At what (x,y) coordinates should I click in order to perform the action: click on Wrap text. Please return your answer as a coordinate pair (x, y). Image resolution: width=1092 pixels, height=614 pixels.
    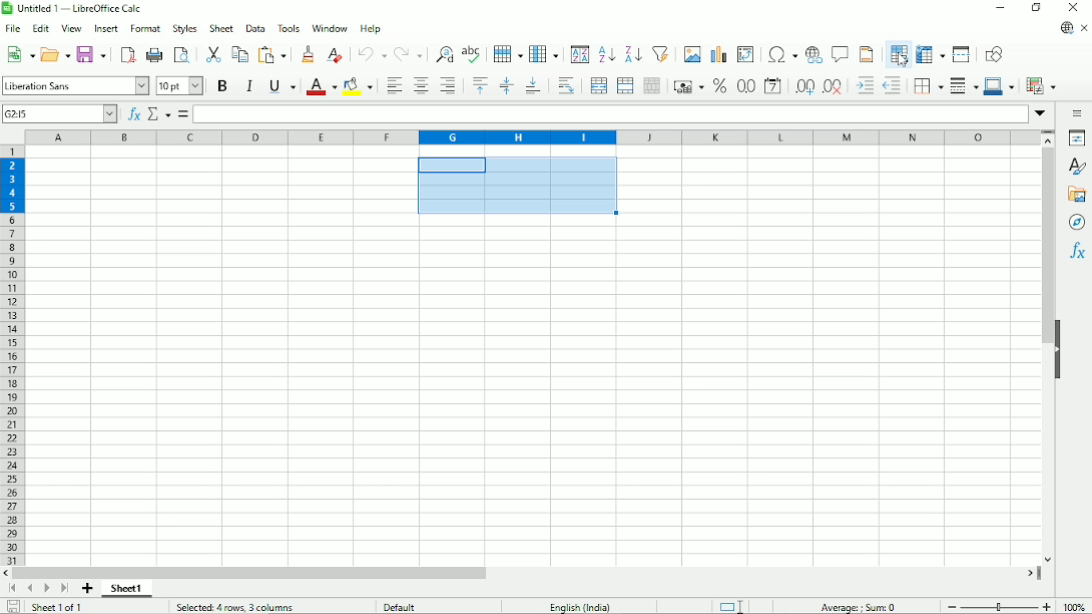
    Looking at the image, I should click on (565, 86).